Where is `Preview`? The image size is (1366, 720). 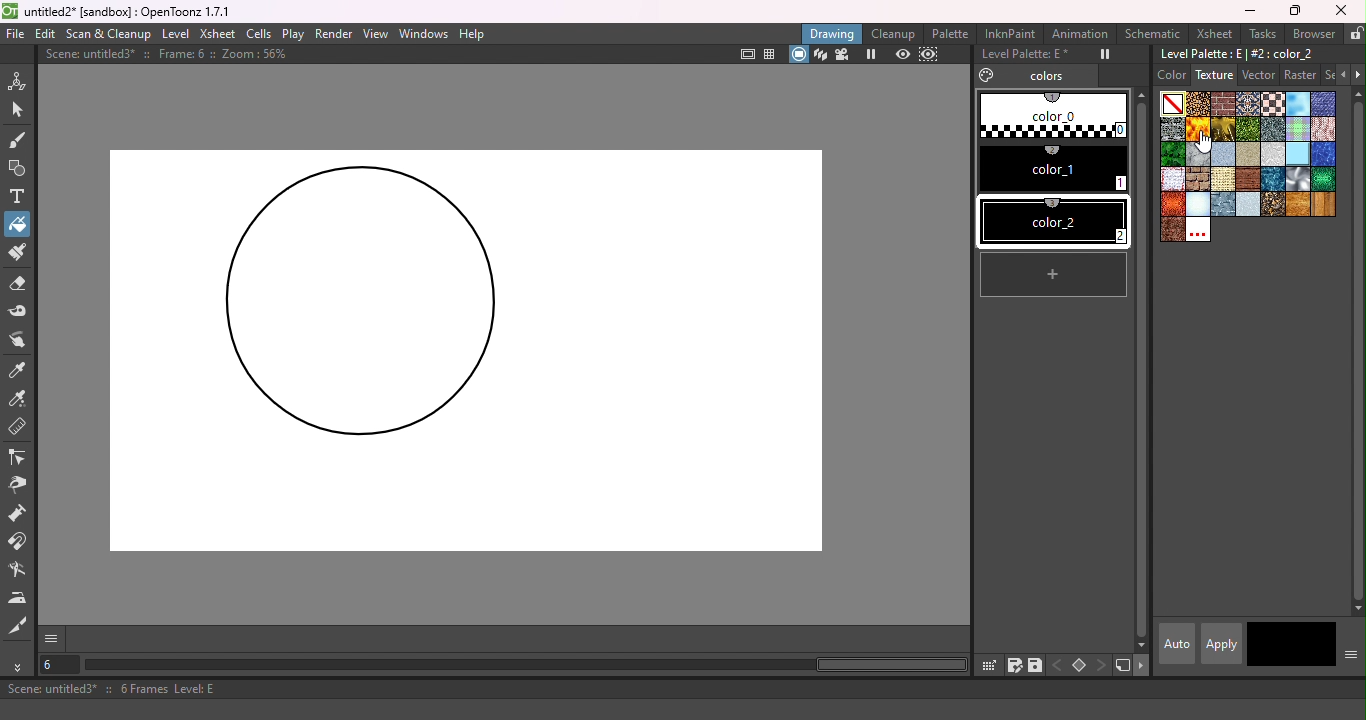 Preview is located at coordinates (900, 54).